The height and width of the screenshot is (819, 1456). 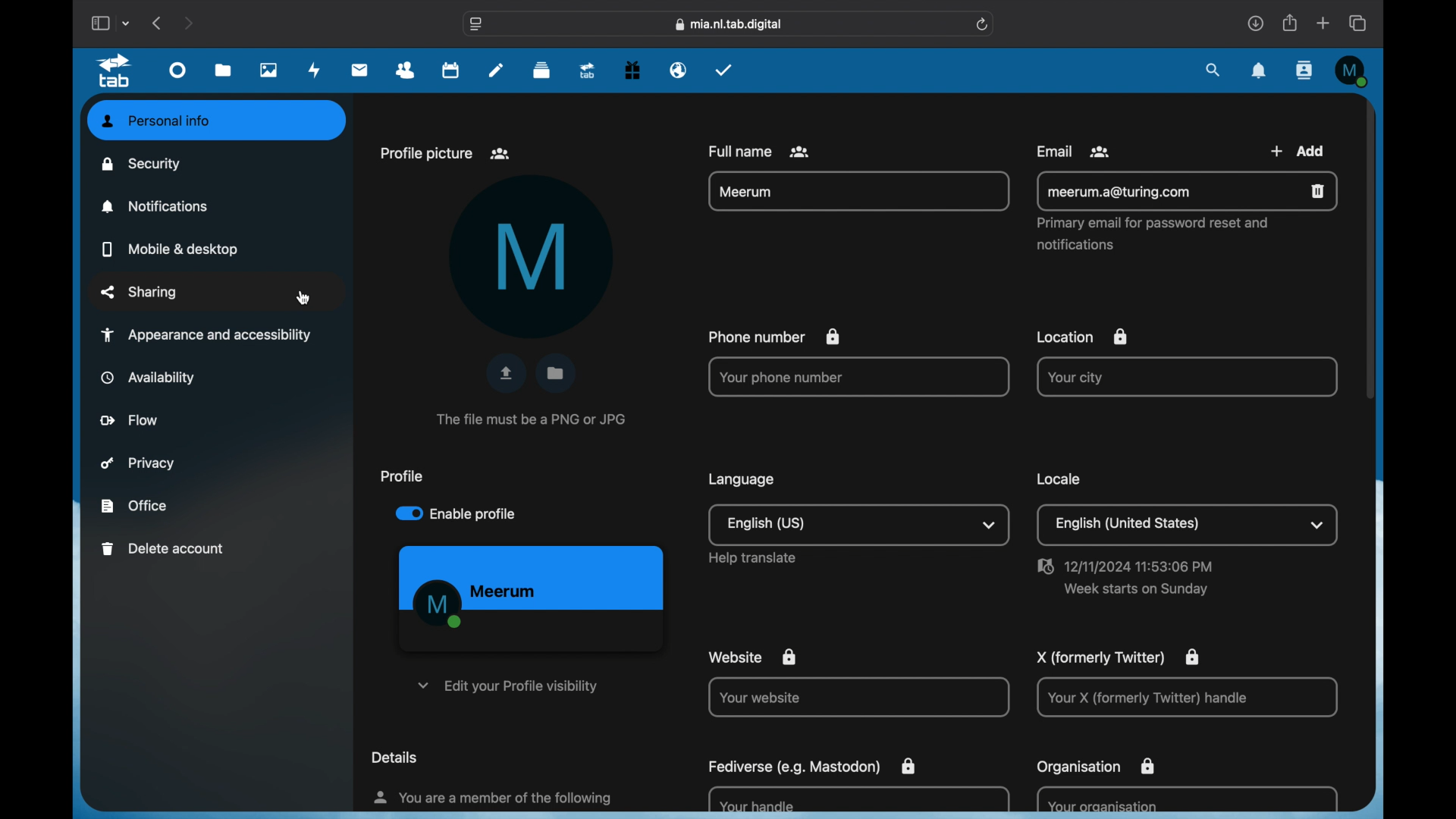 What do you see at coordinates (859, 799) in the screenshot?
I see `Fediverse handle` at bounding box center [859, 799].